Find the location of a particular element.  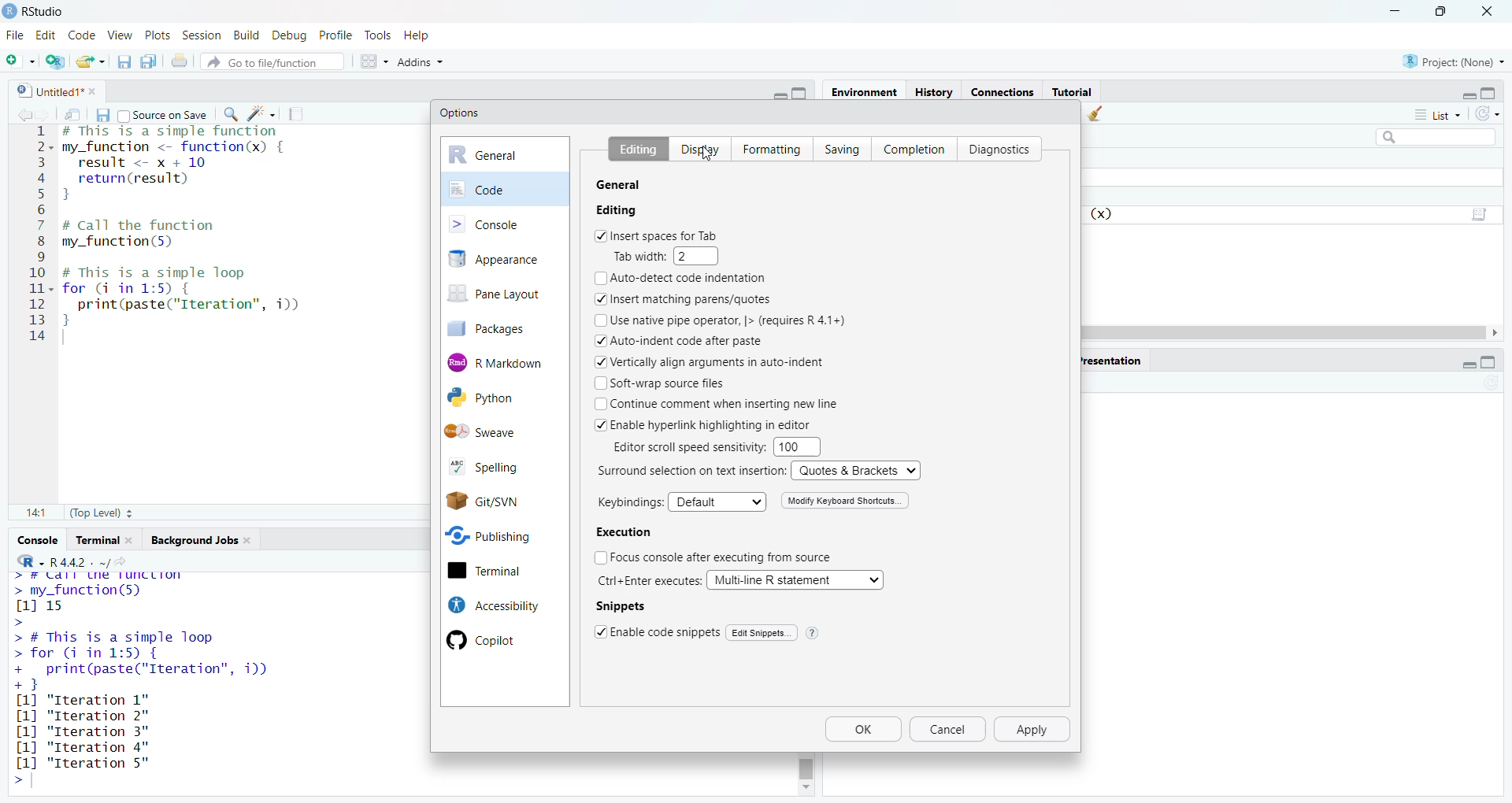

maximize is located at coordinates (1441, 10).